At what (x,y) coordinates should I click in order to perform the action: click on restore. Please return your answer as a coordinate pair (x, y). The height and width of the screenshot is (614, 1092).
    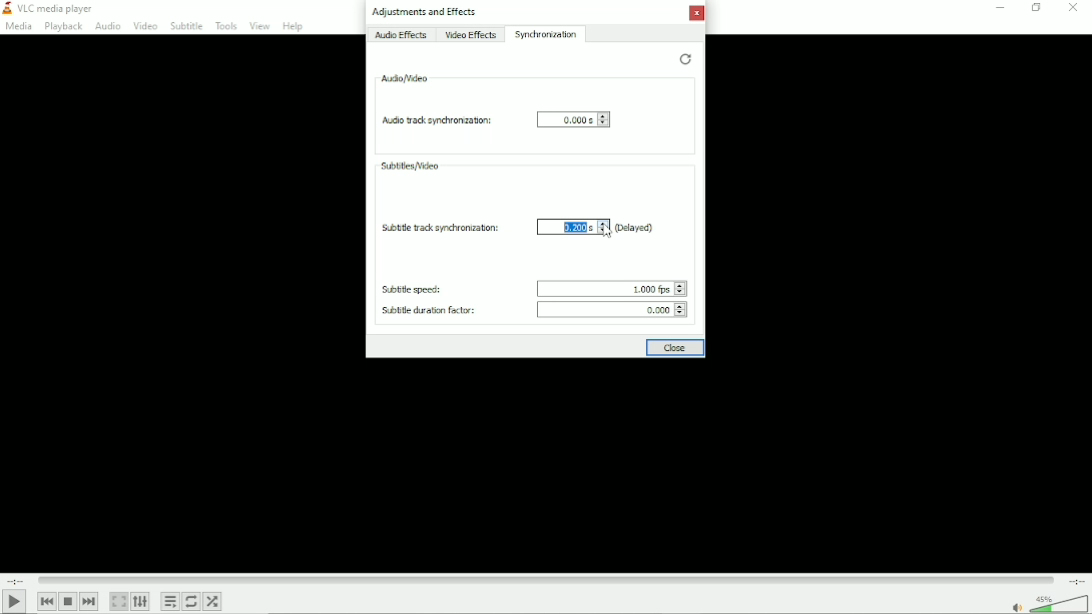
    Looking at the image, I should click on (684, 59).